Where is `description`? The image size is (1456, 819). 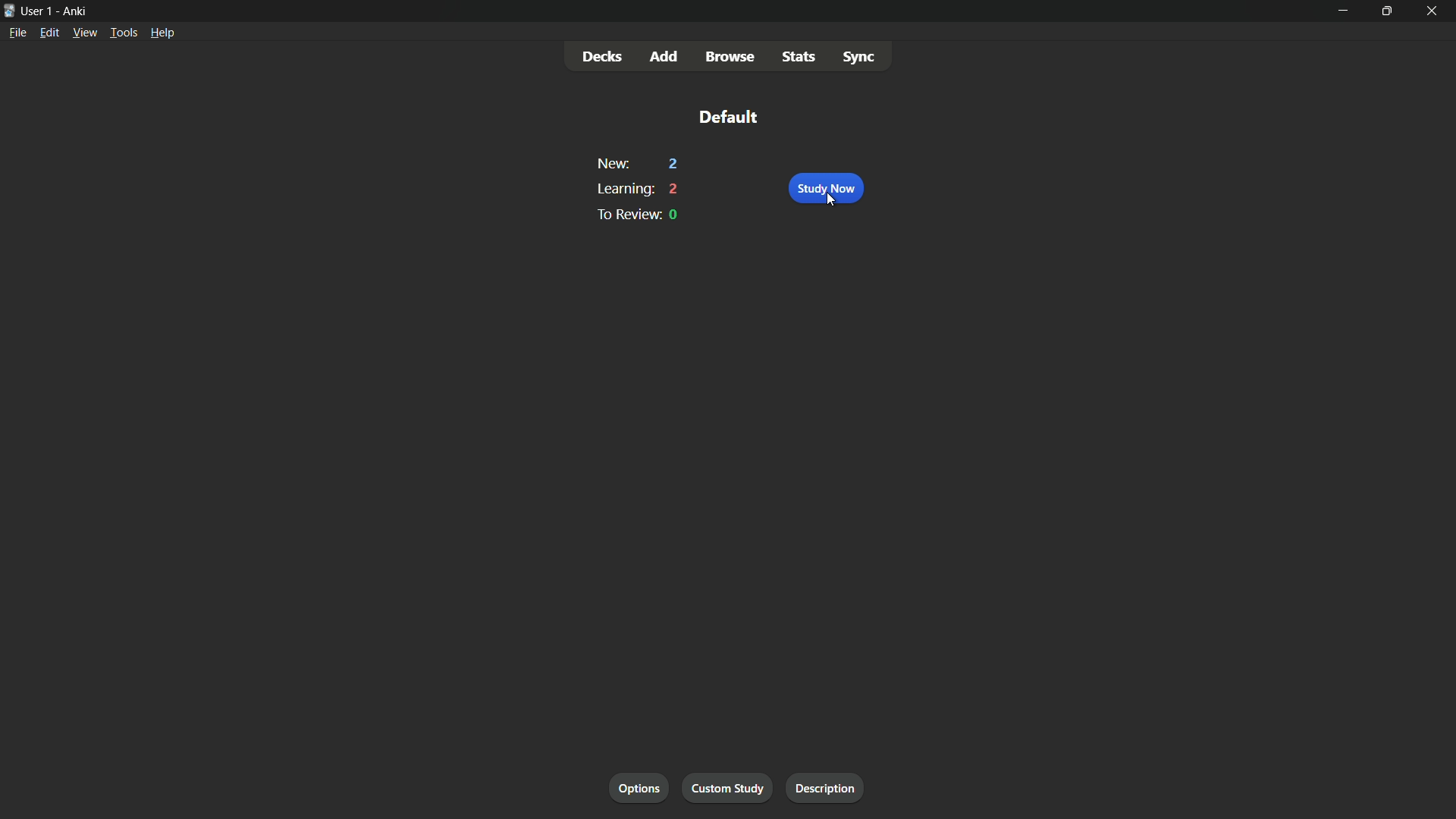
description is located at coordinates (824, 787).